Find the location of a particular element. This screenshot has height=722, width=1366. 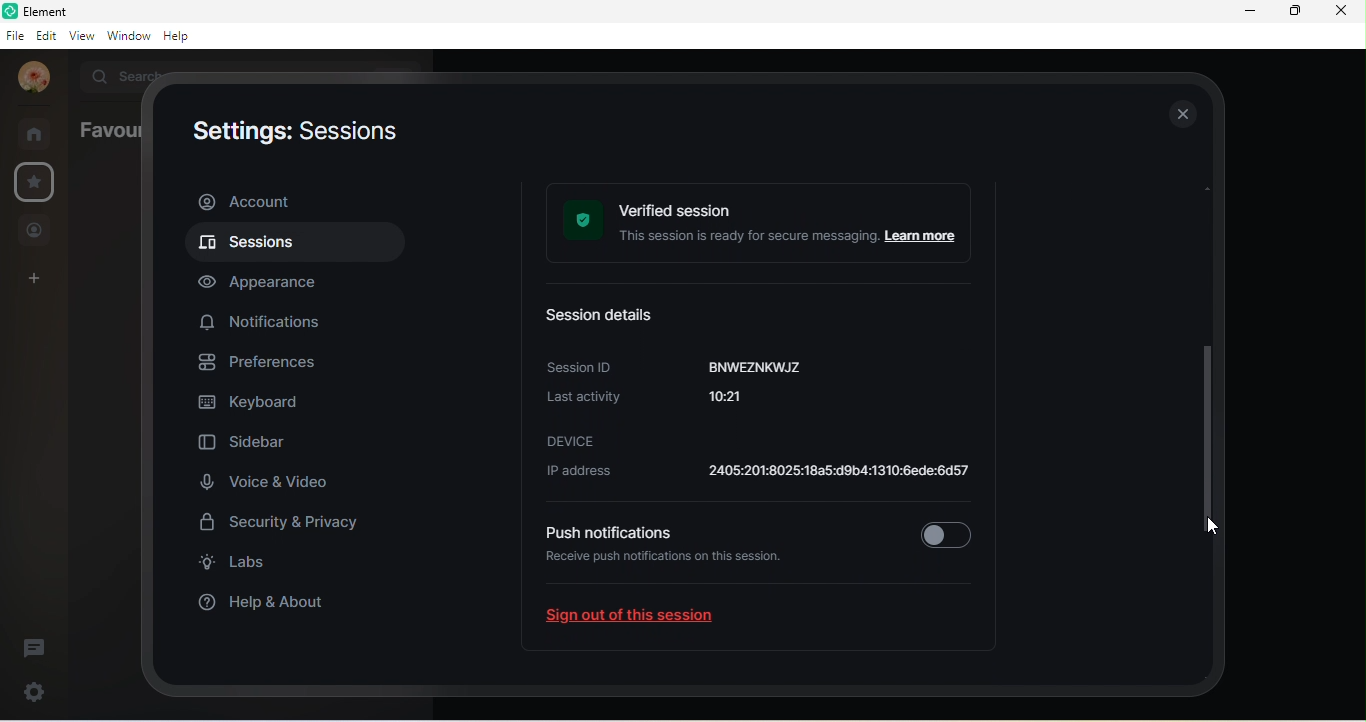

keyboard is located at coordinates (255, 405).